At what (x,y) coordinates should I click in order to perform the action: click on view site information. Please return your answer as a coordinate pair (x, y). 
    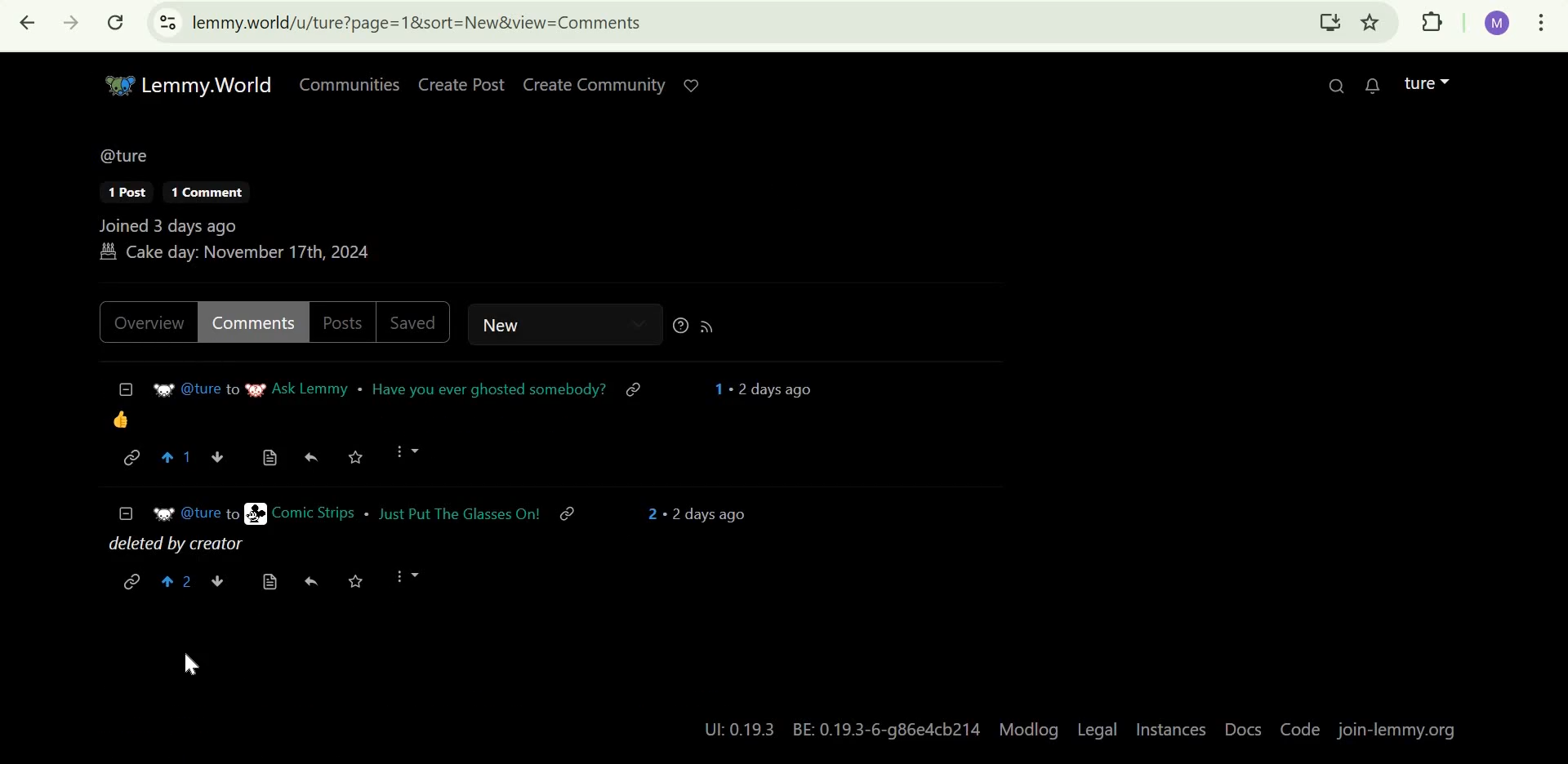
    Looking at the image, I should click on (168, 22).